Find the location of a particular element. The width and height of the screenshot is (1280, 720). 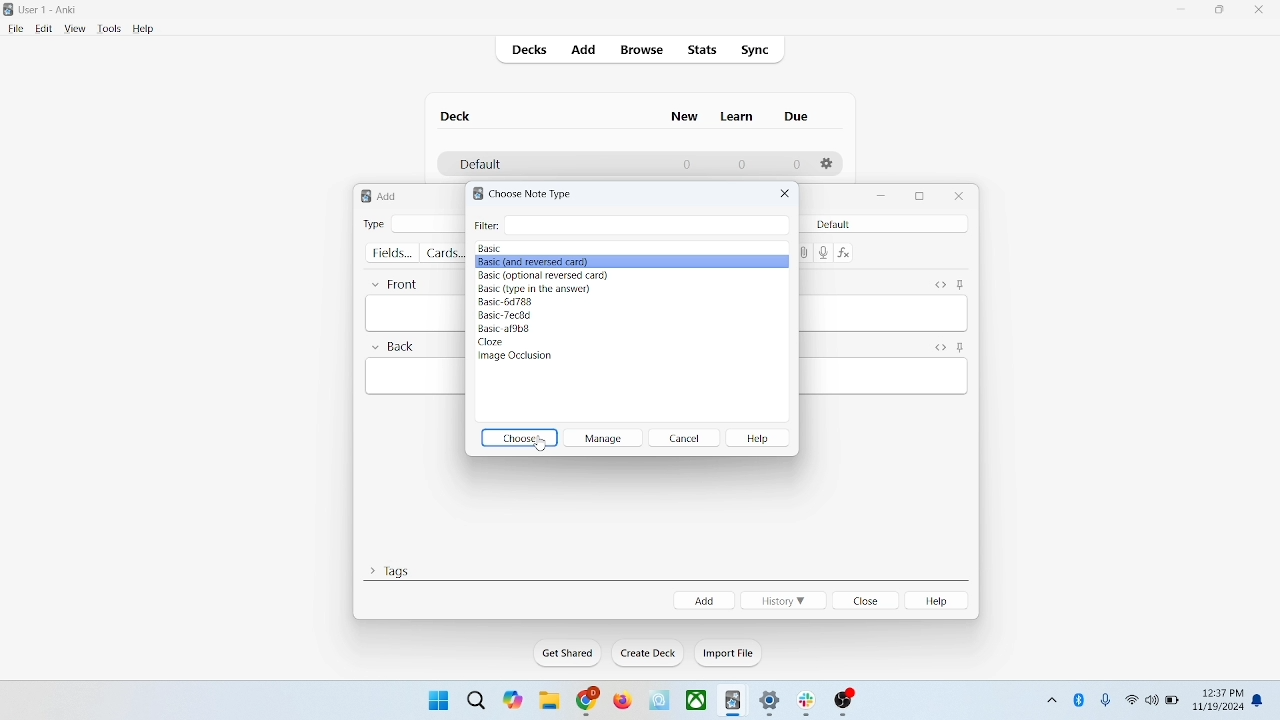

firefox is located at coordinates (622, 701).